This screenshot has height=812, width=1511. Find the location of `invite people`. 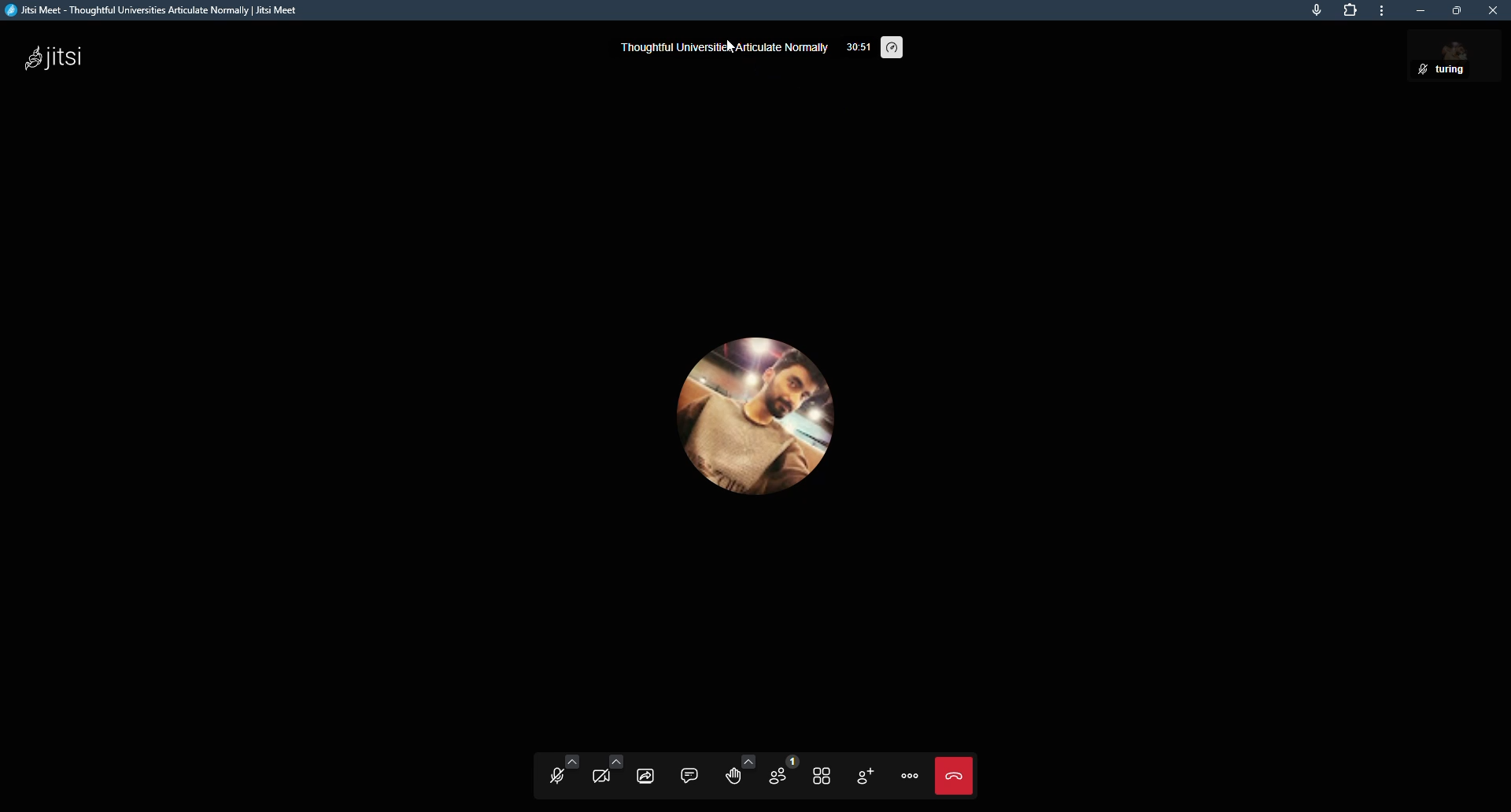

invite people is located at coordinates (866, 776).